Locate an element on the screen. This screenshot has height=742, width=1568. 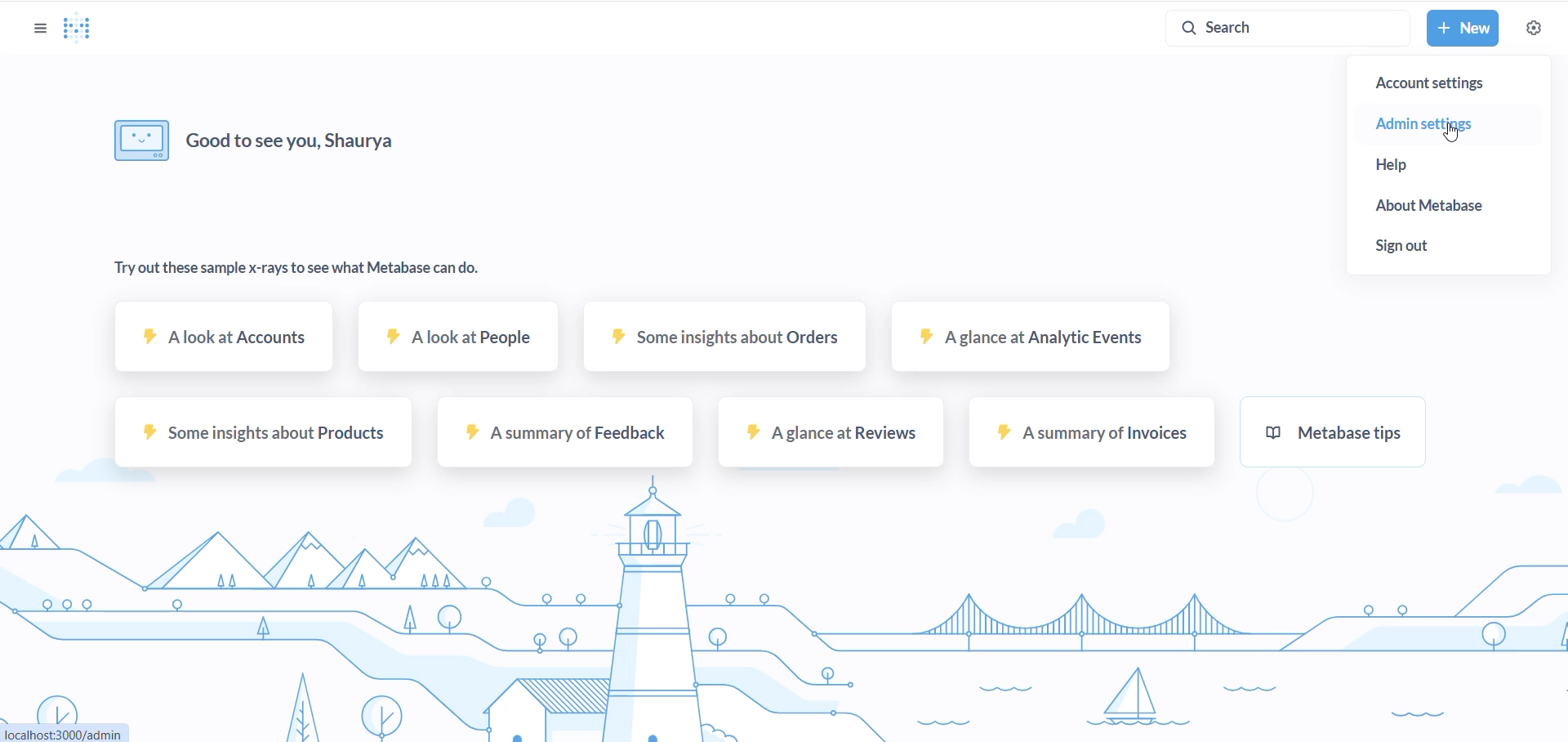
metabase Tips is located at coordinates (1351, 440).